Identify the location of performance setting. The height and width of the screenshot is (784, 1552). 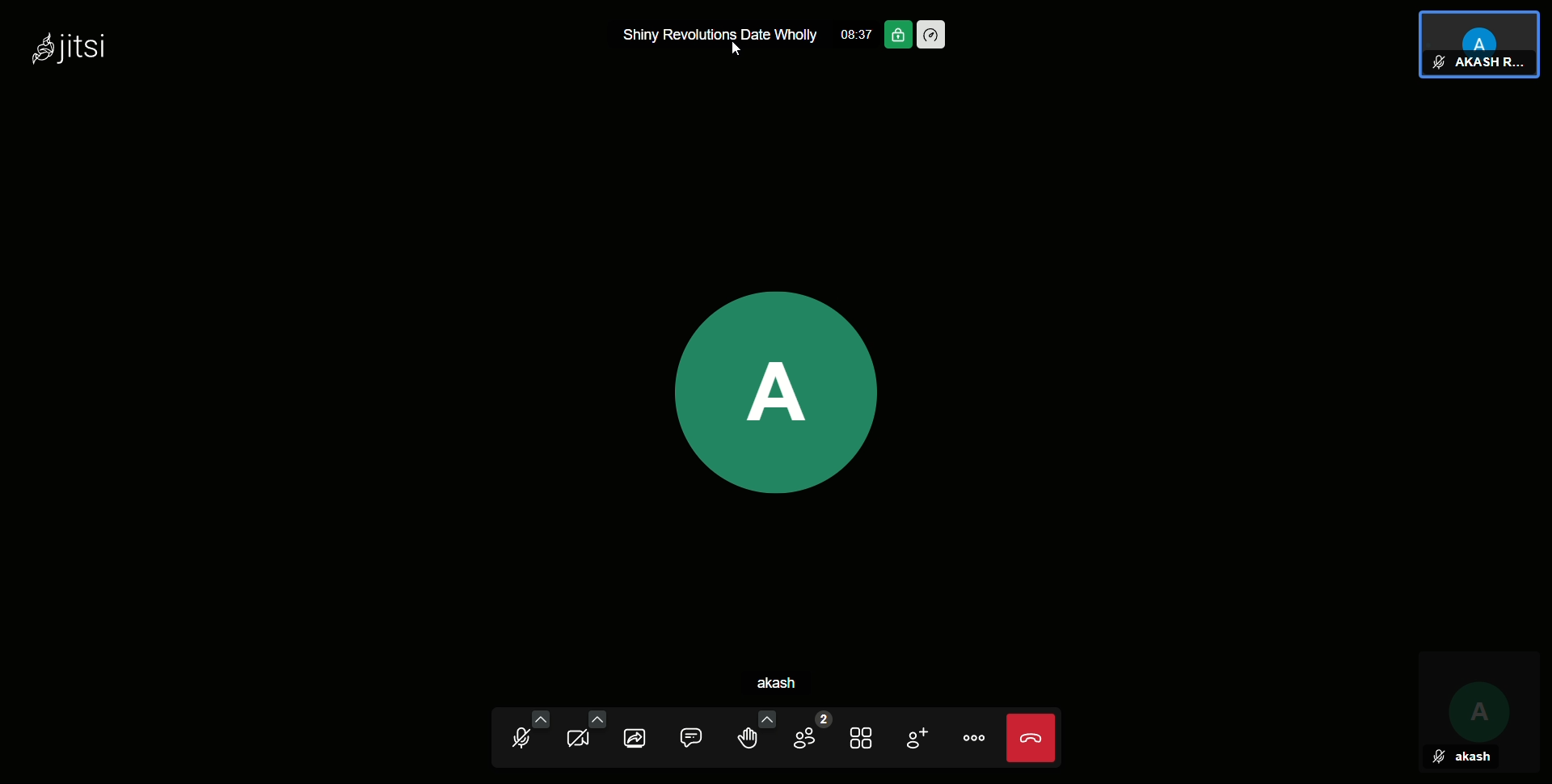
(938, 34).